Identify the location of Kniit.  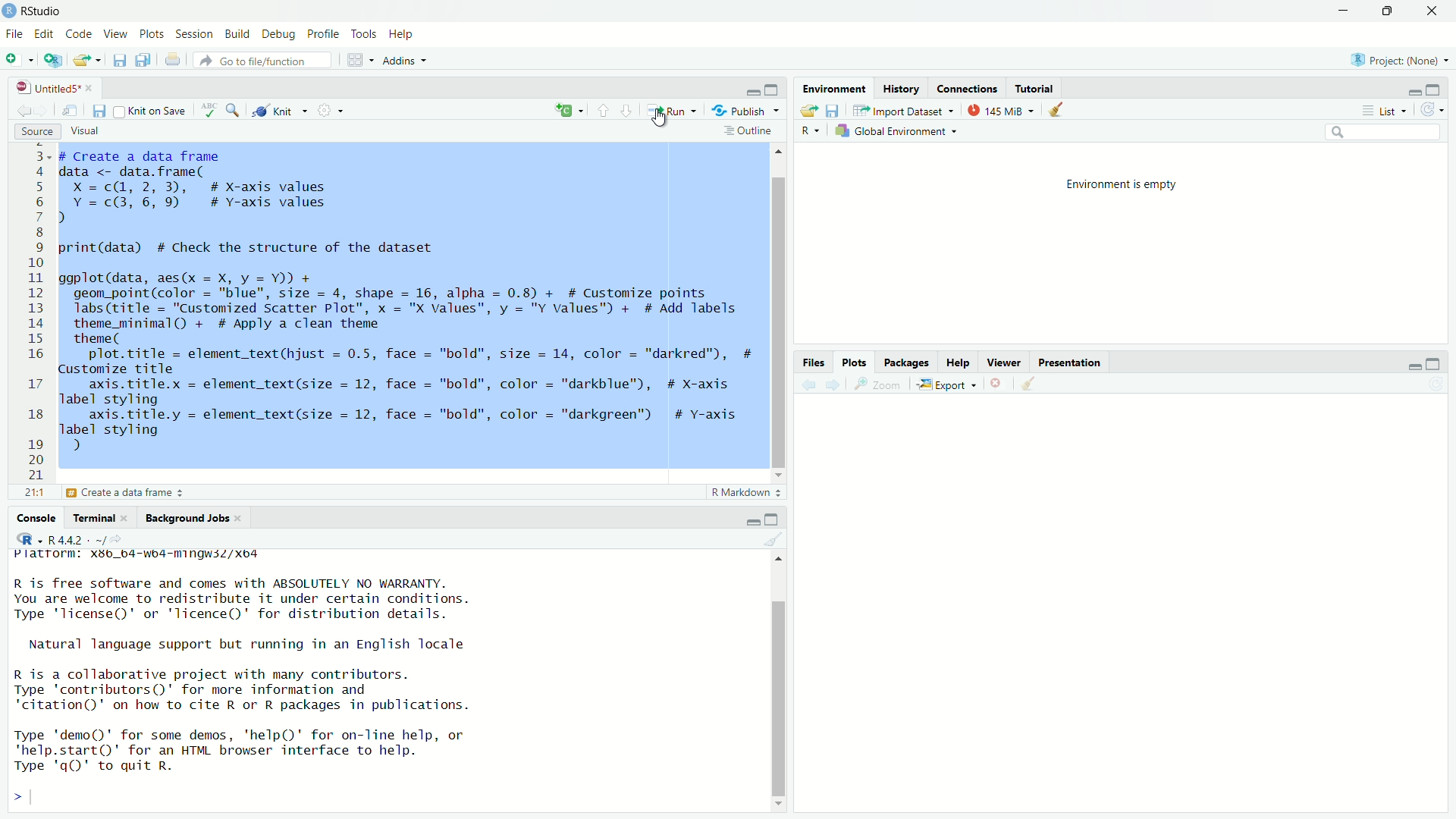
(281, 108).